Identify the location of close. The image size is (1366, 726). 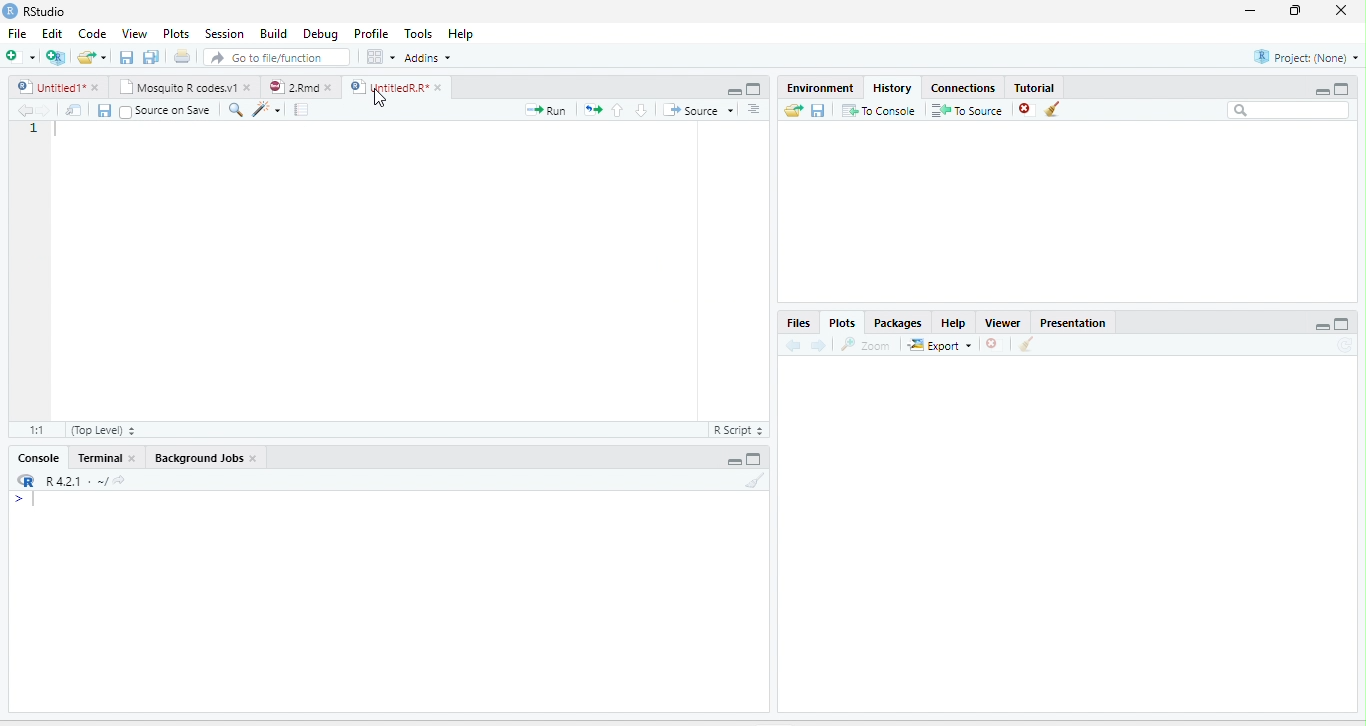
(329, 87).